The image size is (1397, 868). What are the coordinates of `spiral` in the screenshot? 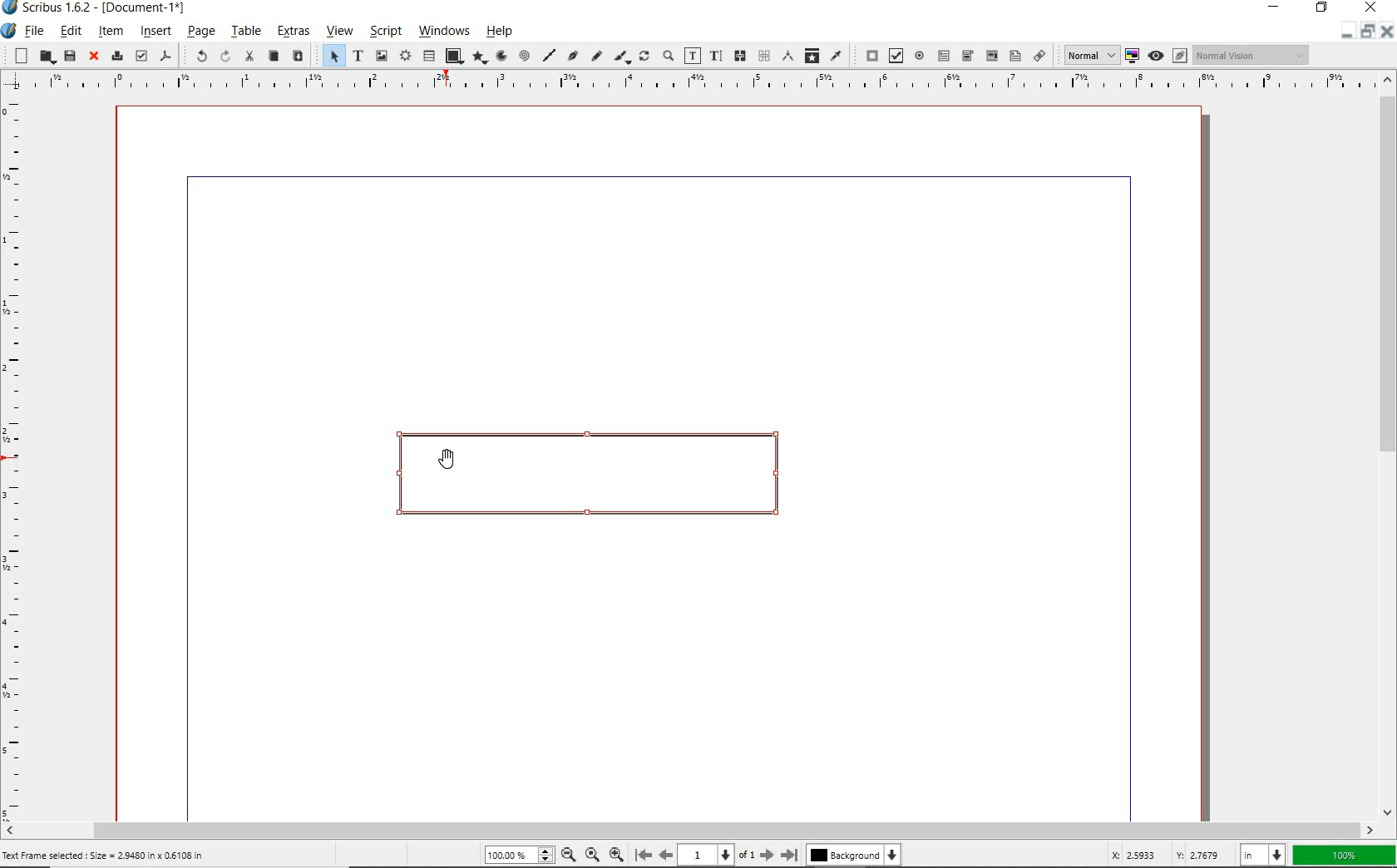 It's located at (524, 57).